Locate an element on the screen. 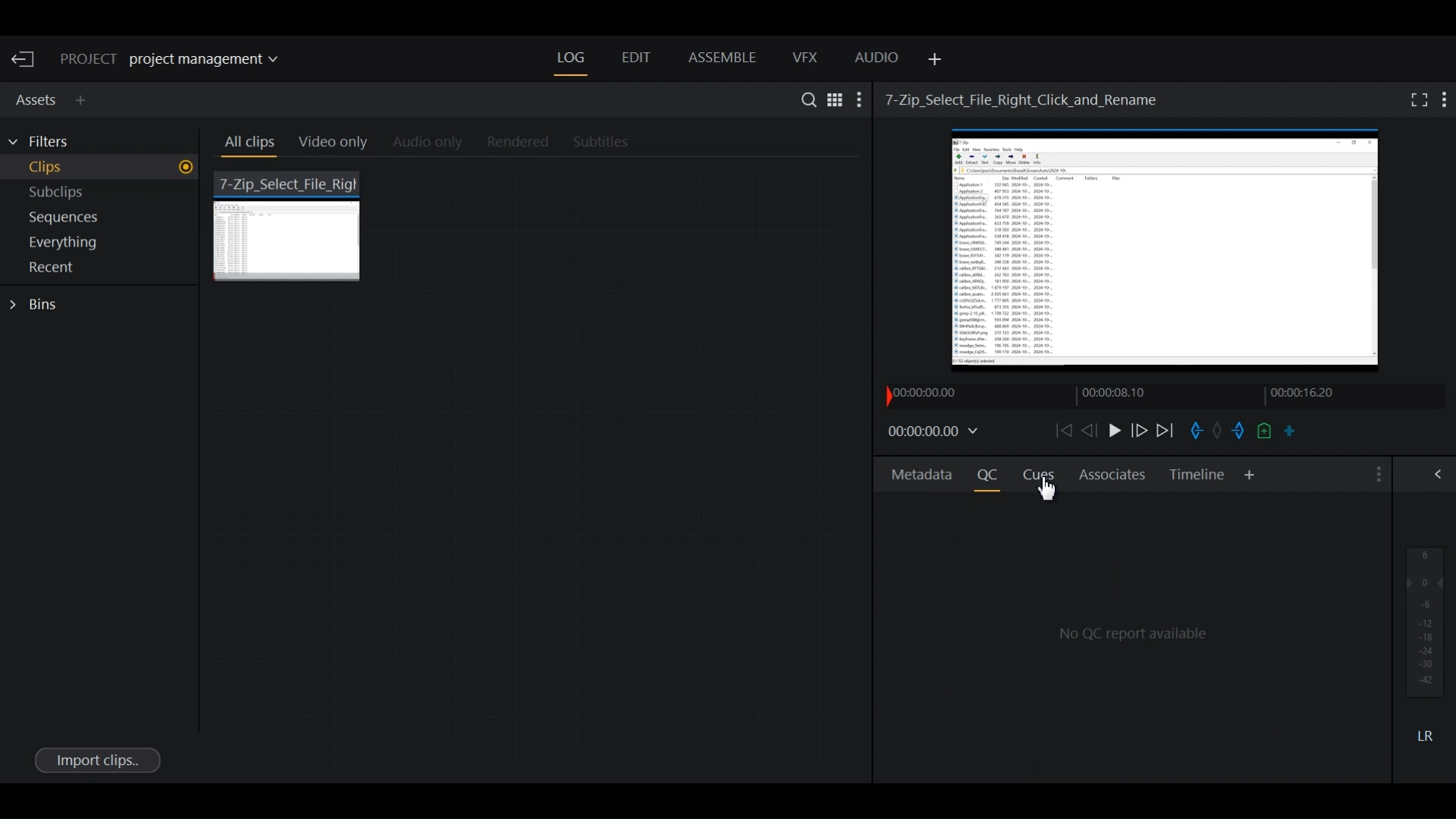 The image size is (1456, 819). Bins is located at coordinates (38, 305).